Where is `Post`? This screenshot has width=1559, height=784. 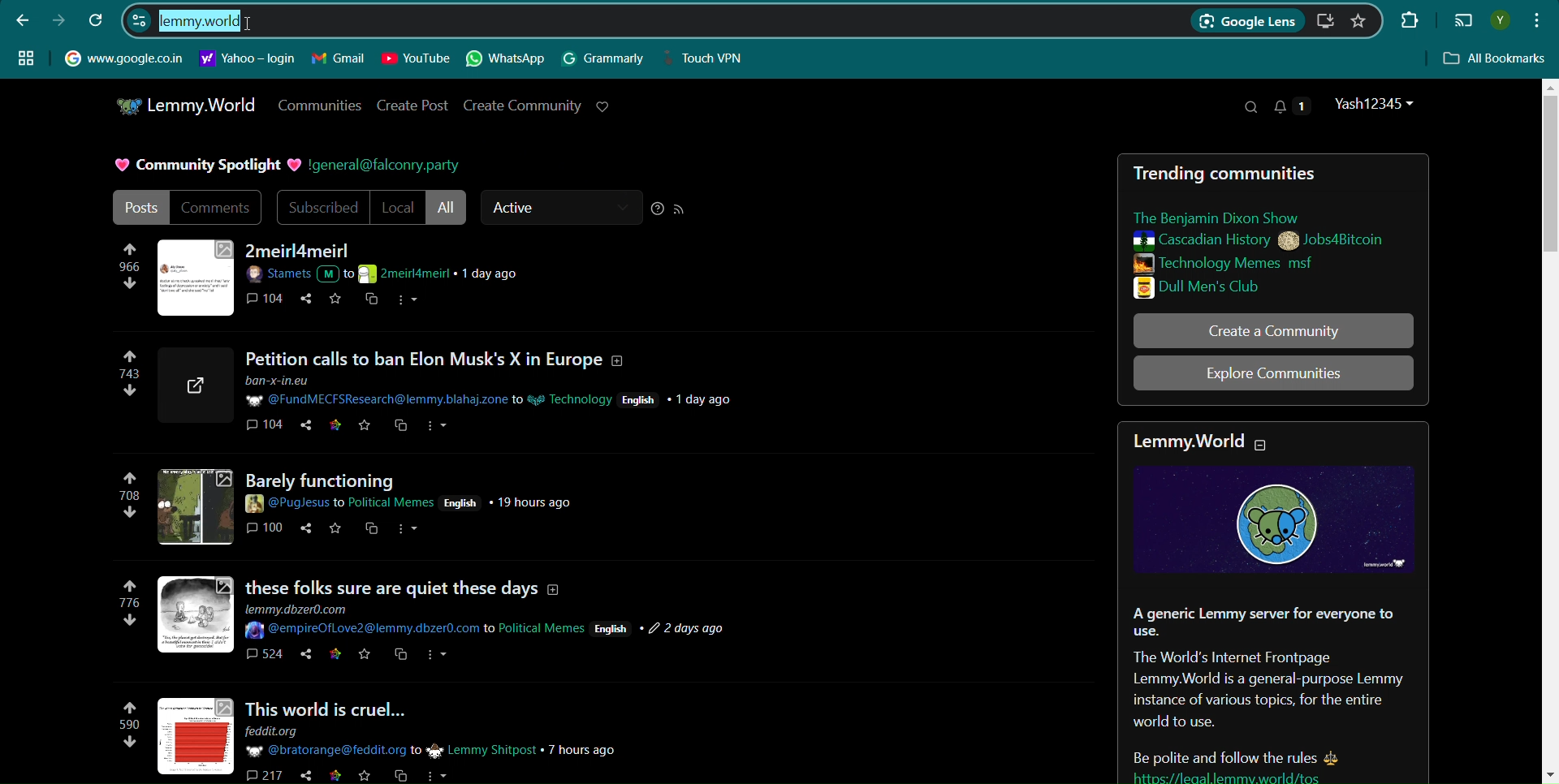
Post is located at coordinates (139, 207).